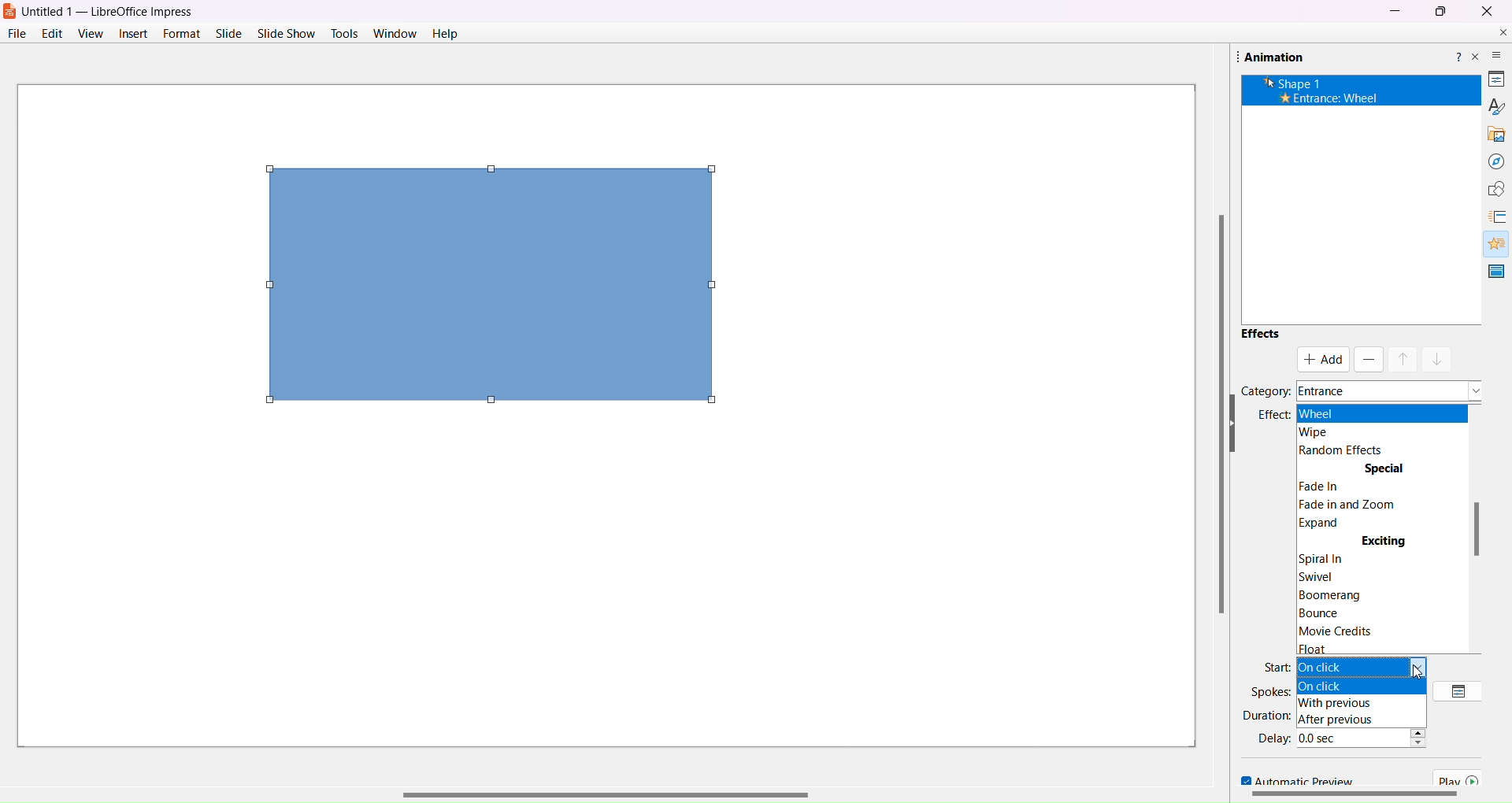 The width and height of the screenshot is (1512, 803). I want to click on Delay, so click(1272, 738).